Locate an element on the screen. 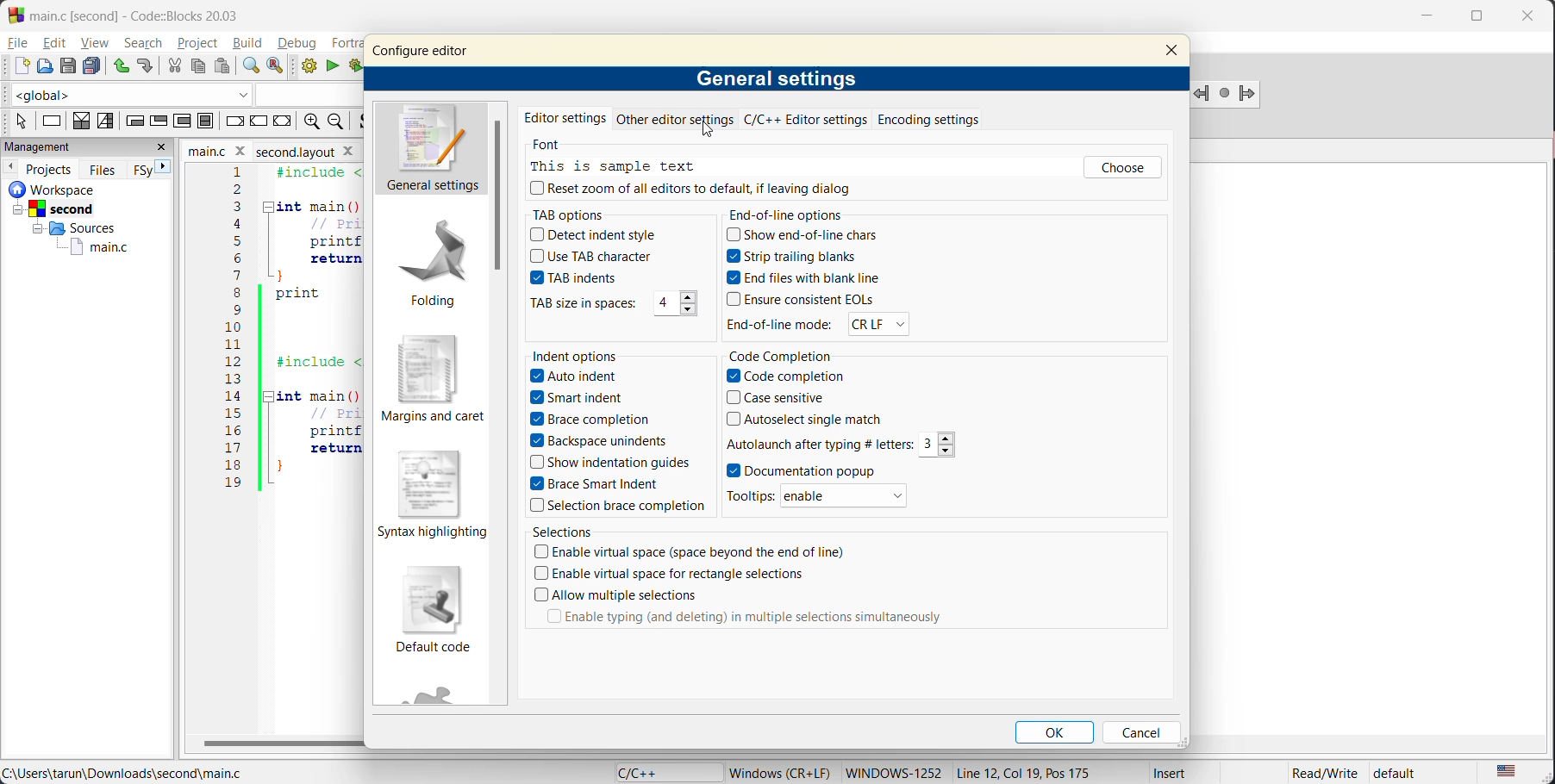  open is located at coordinates (43, 66).